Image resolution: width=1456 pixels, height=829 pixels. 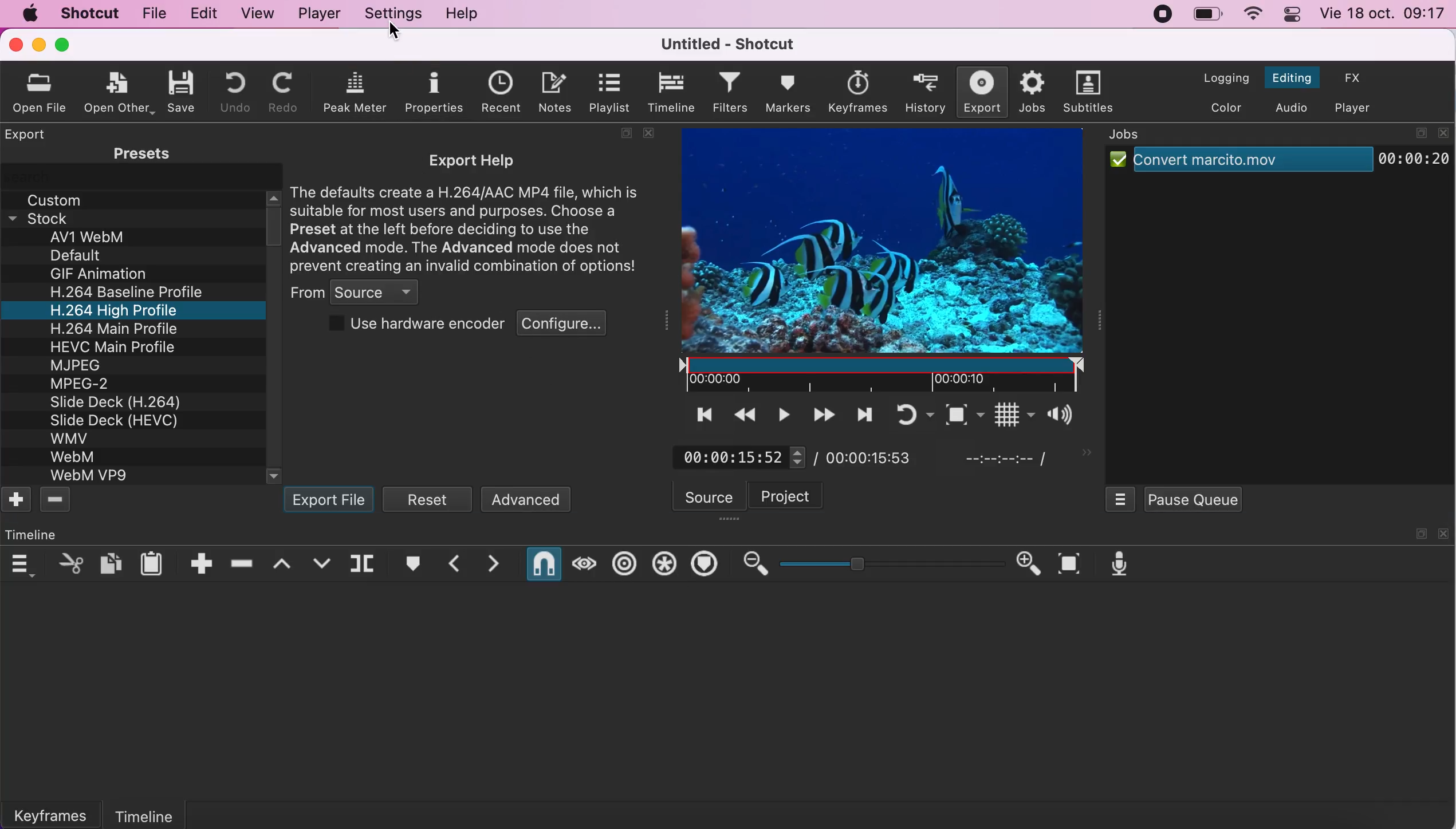 I want to click on Slide Deck (H.264), so click(x=116, y=402).